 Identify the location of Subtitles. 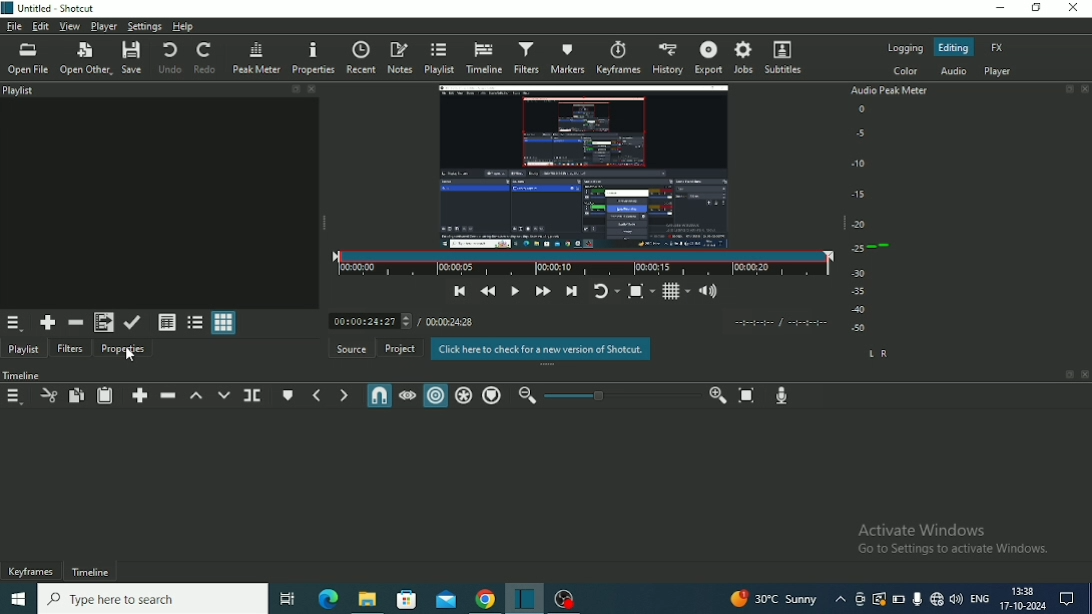
(784, 57).